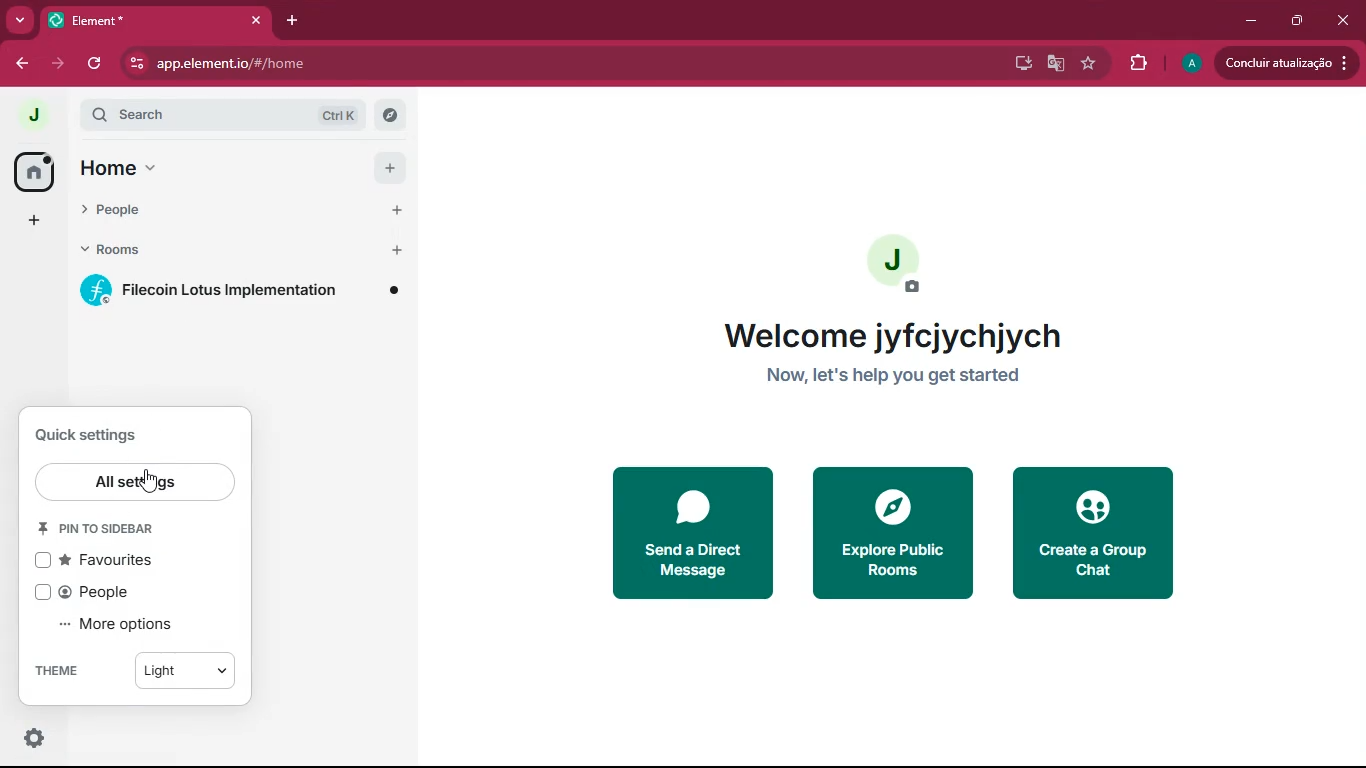 The height and width of the screenshot is (768, 1366). What do you see at coordinates (896, 262) in the screenshot?
I see `profile picture` at bounding box center [896, 262].